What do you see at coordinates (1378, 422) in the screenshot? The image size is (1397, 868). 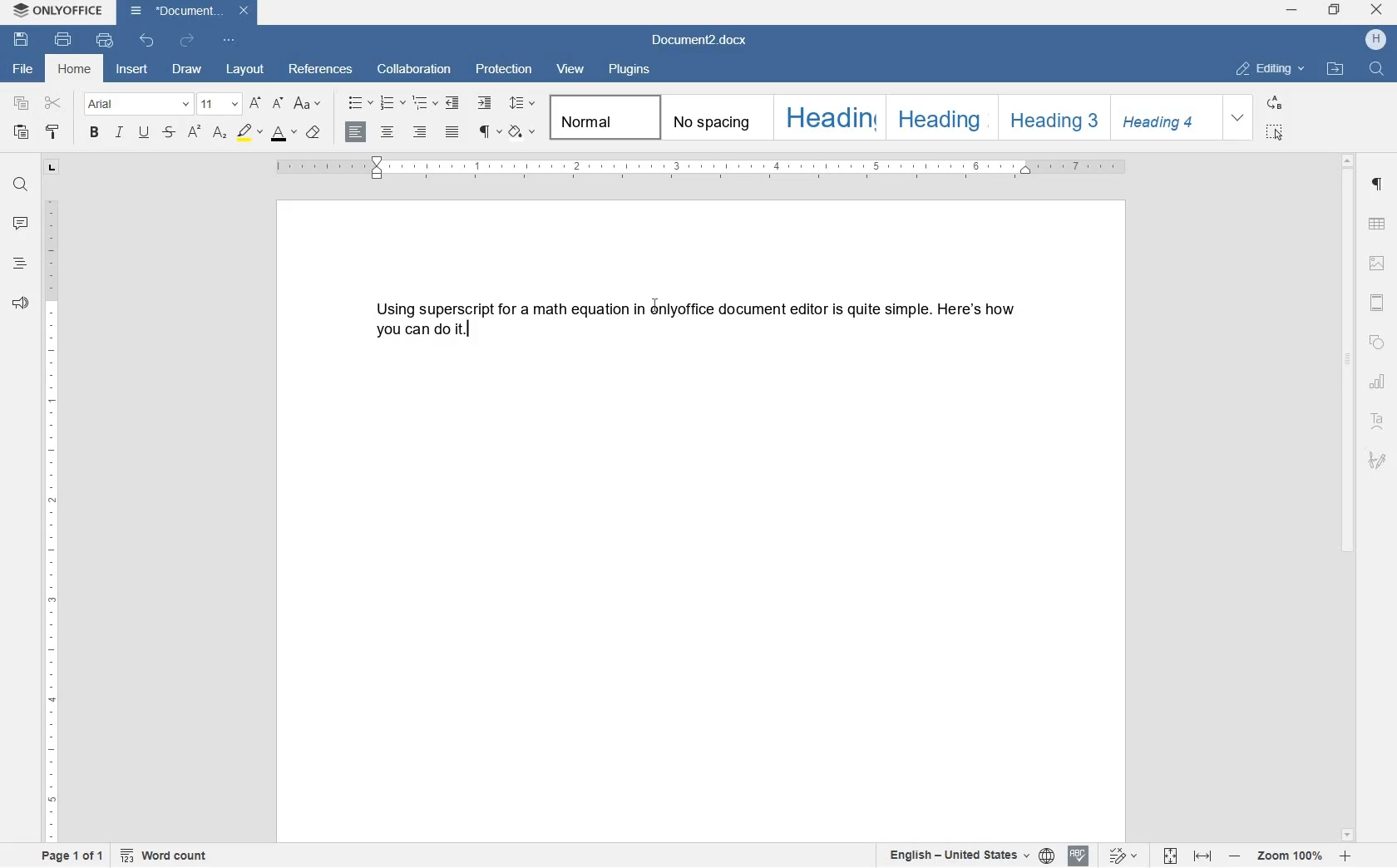 I see `Text Art` at bounding box center [1378, 422].